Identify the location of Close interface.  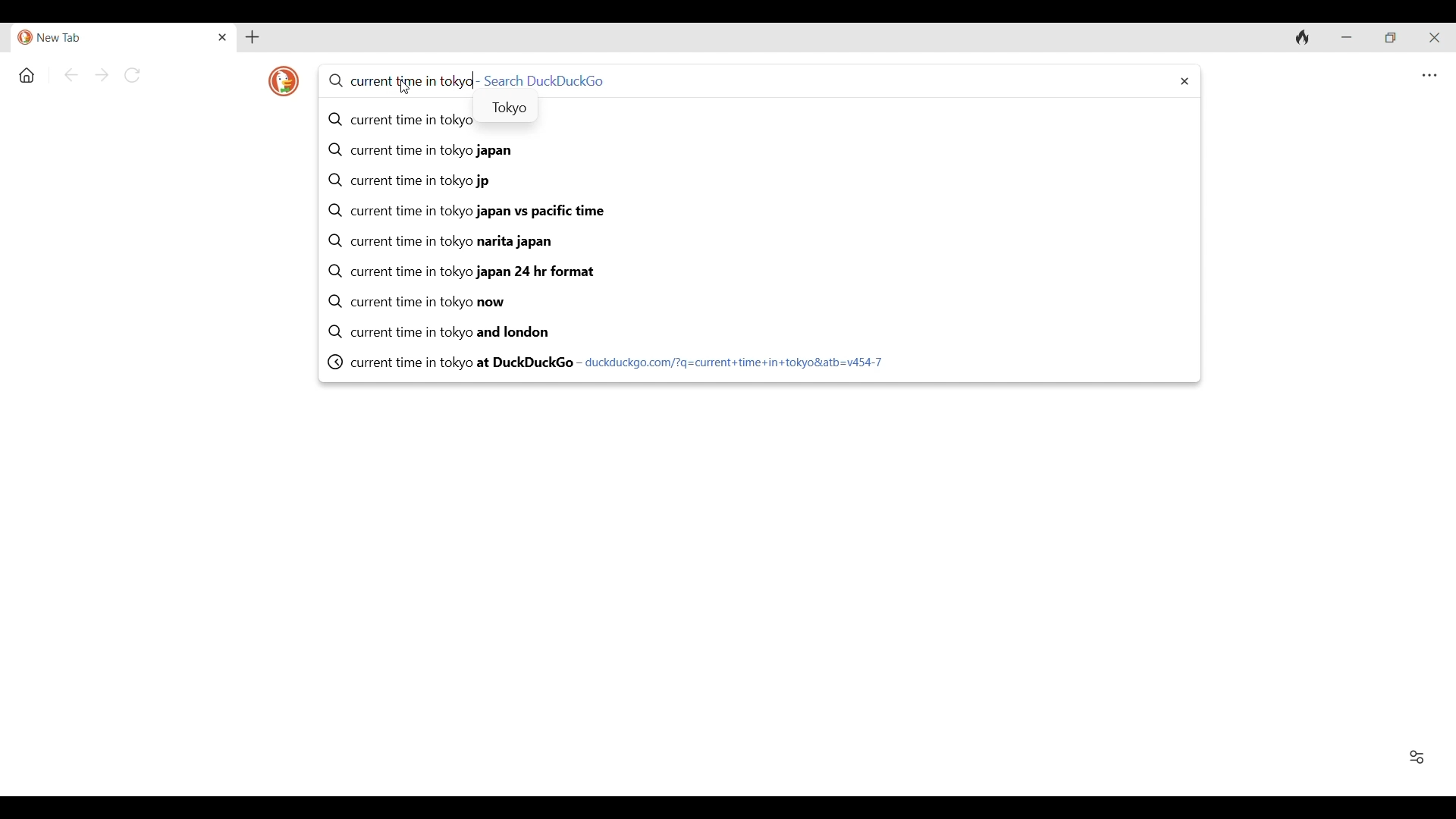
(1435, 38).